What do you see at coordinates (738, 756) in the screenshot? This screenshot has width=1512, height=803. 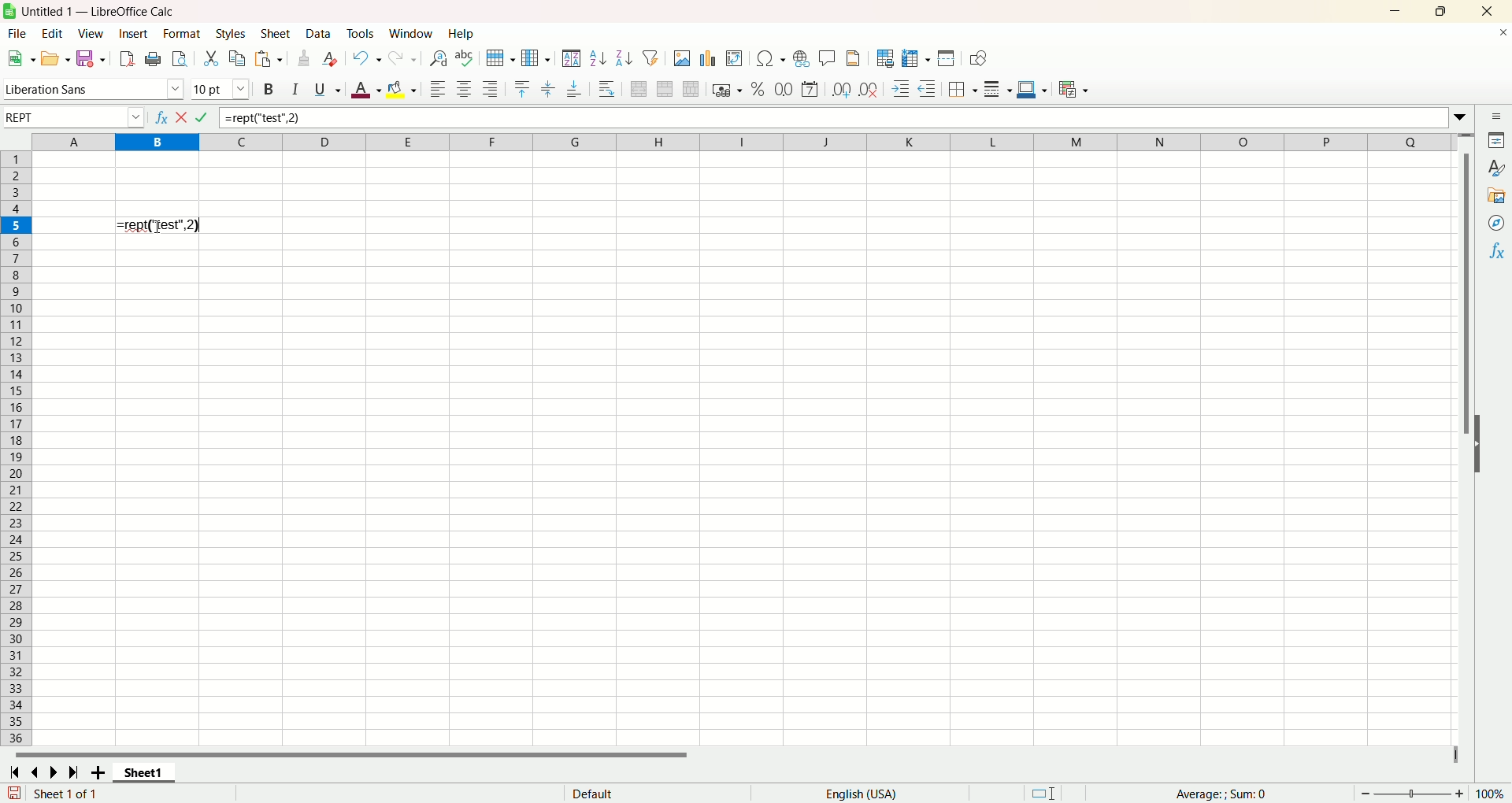 I see `horizontal scroll bar` at bounding box center [738, 756].